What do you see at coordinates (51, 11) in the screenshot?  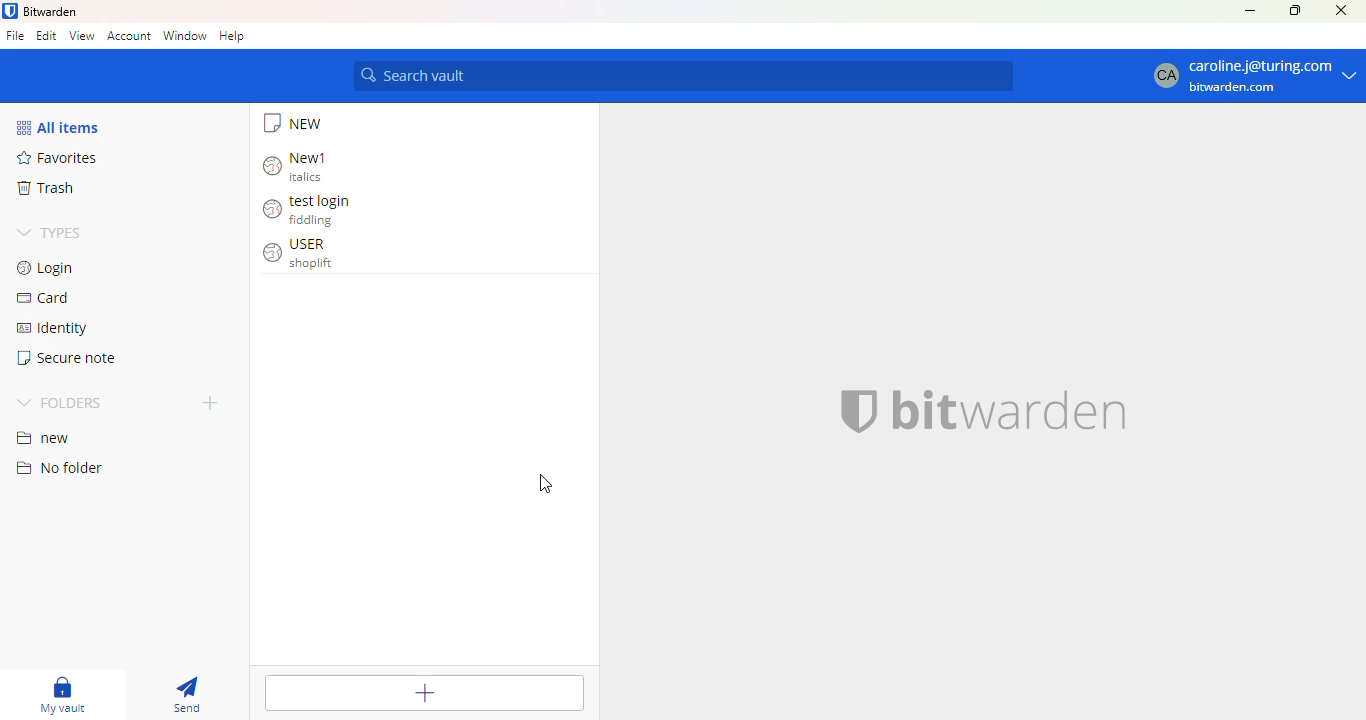 I see `bitwarden` at bounding box center [51, 11].